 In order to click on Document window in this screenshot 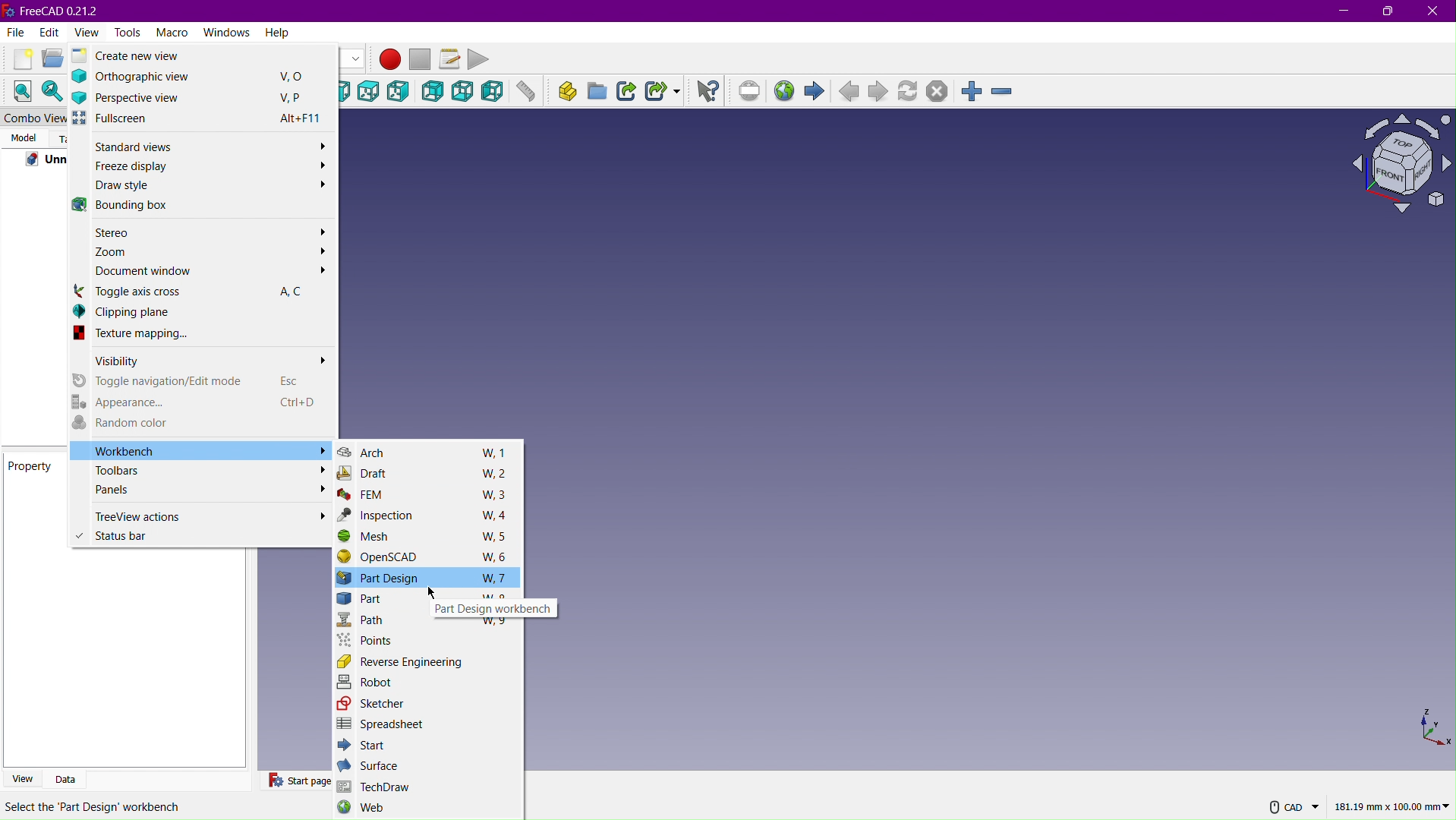, I will do `click(200, 273)`.